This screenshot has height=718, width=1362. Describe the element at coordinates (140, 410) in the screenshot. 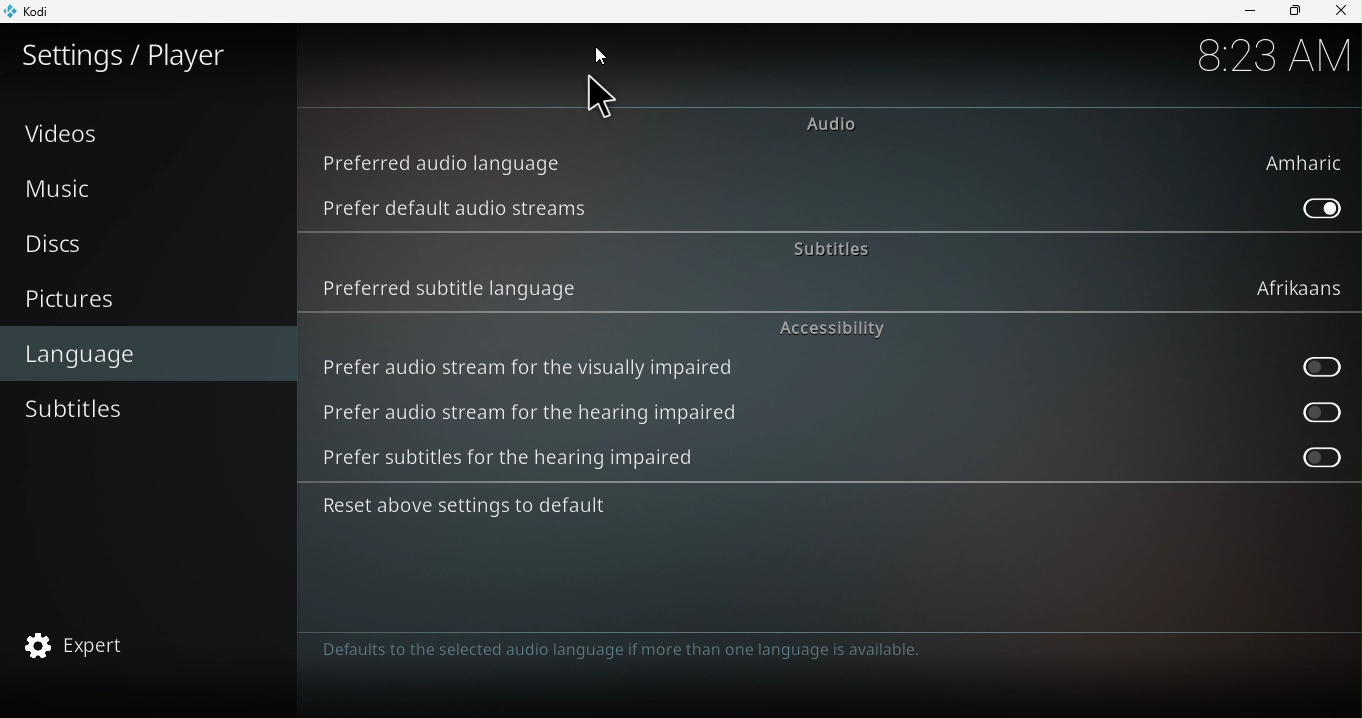

I see `Subtitles` at that location.